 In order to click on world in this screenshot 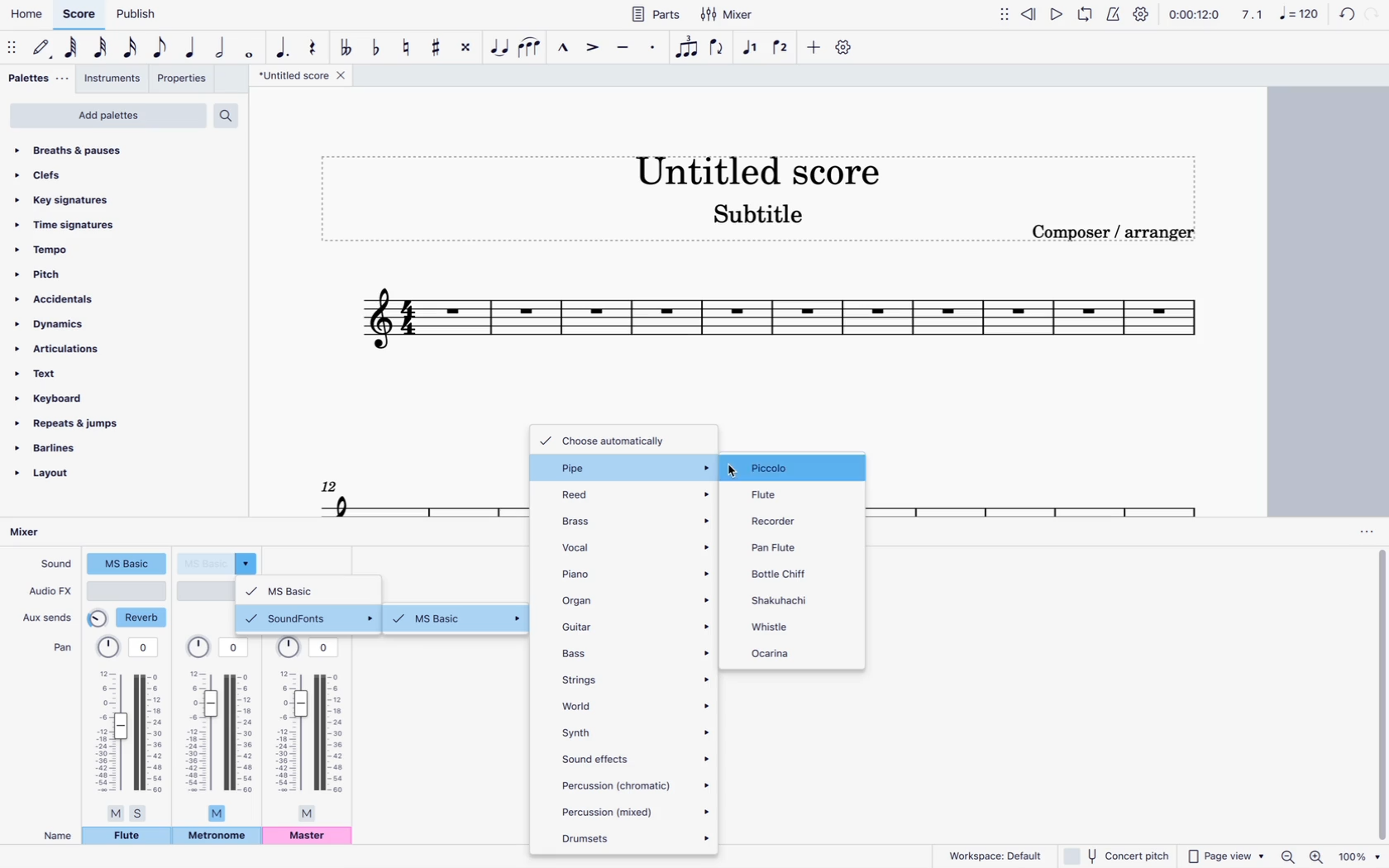, I will do `click(637, 703)`.